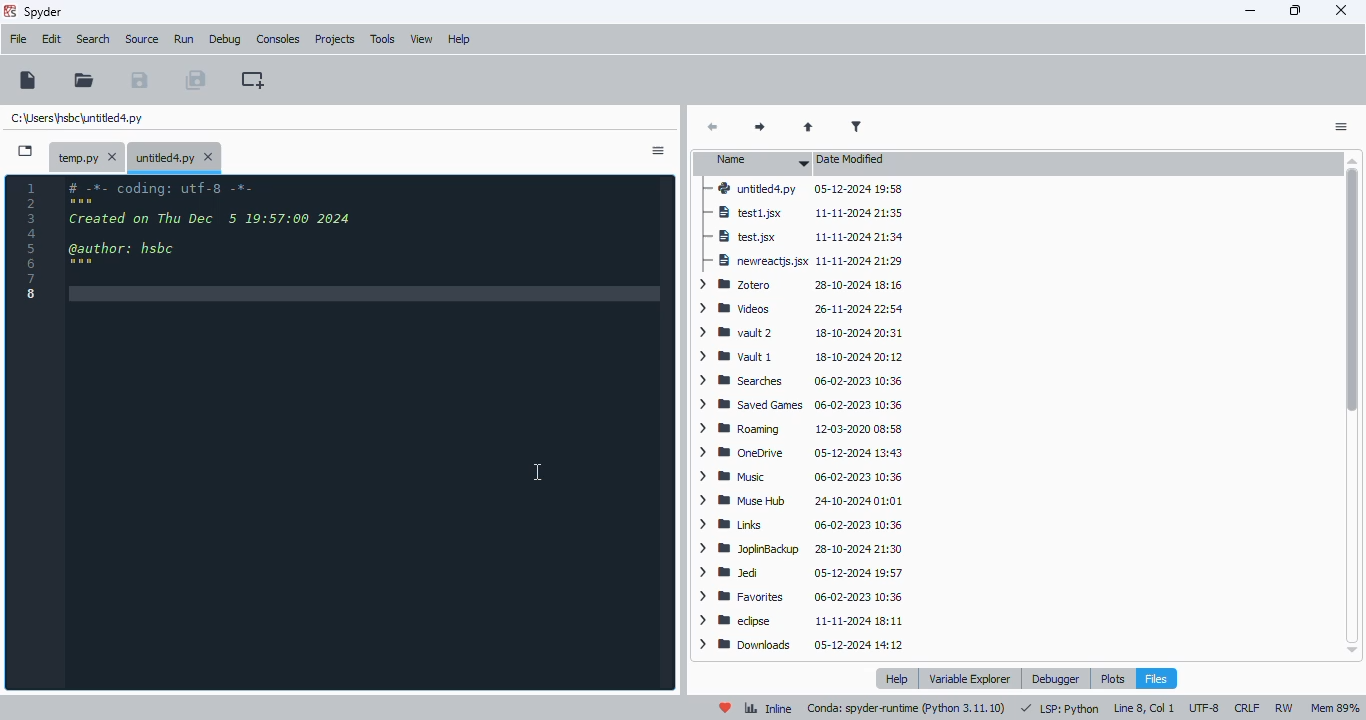 The width and height of the screenshot is (1366, 720). What do you see at coordinates (757, 162) in the screenshot?
I see `name` at bounding box center [757, 162].